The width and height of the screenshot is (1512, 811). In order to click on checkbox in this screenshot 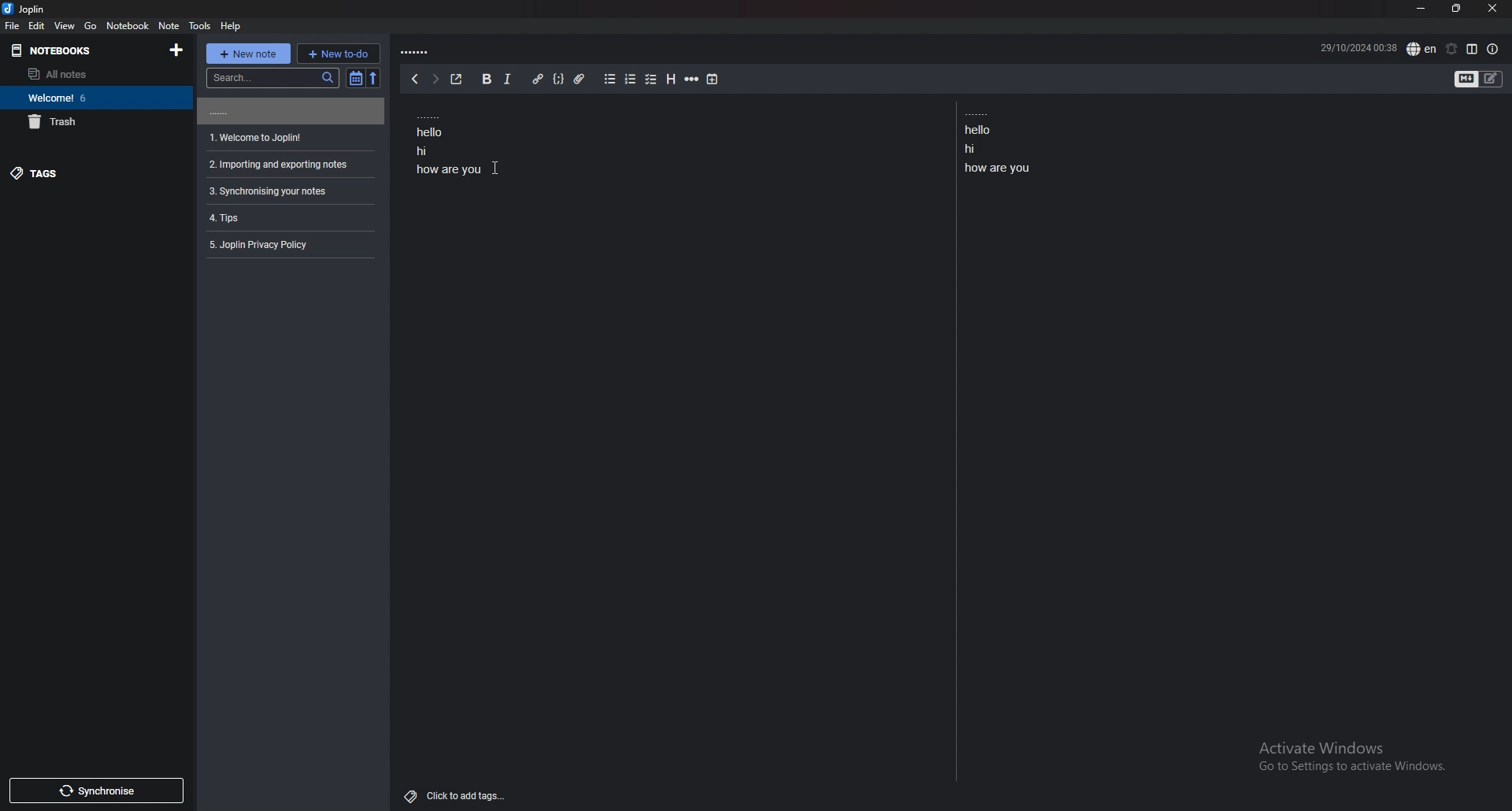, I will do `click(652, 80)`.